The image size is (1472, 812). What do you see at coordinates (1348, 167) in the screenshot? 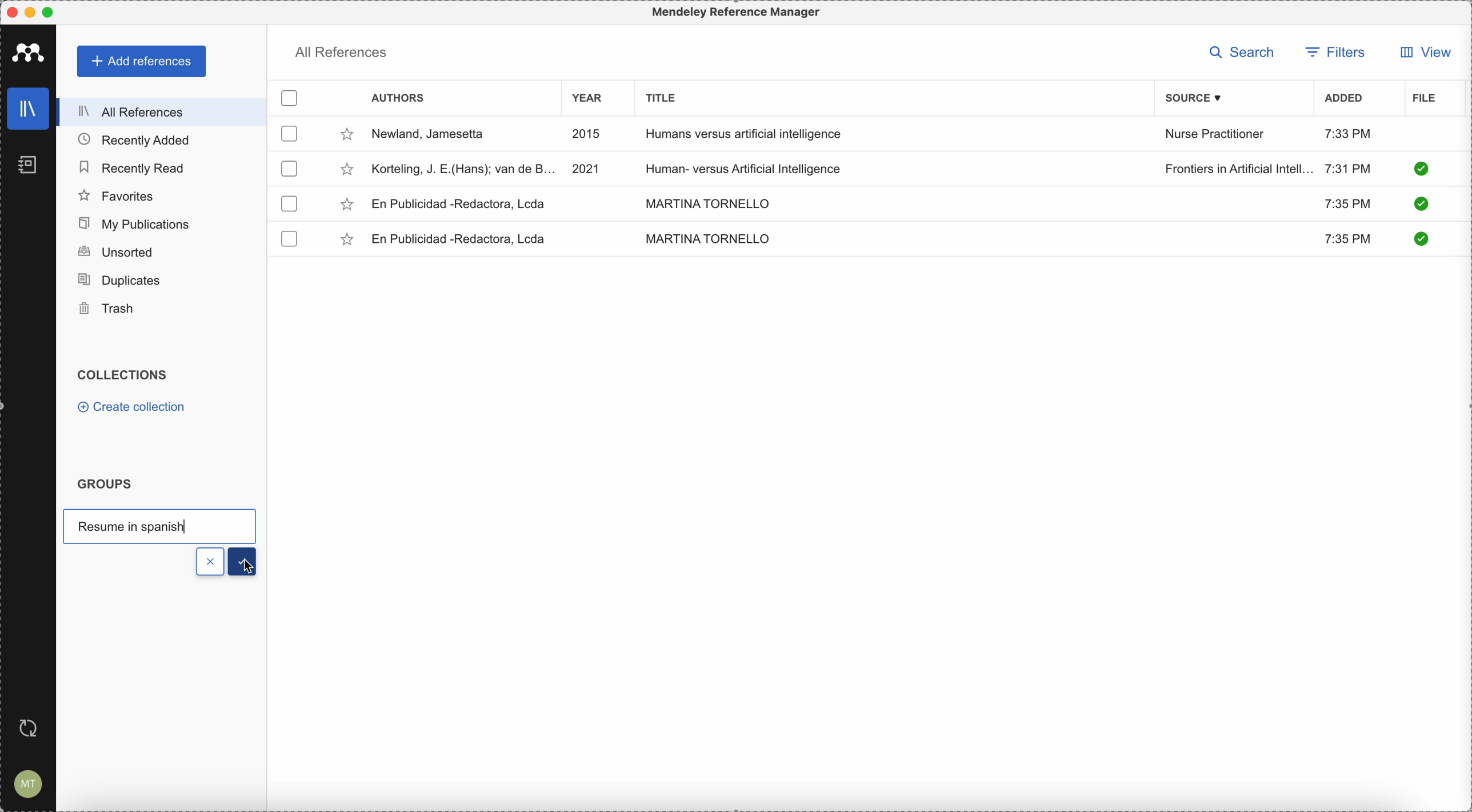
I see `7:31 PM` at bounding box center [1348, 167].